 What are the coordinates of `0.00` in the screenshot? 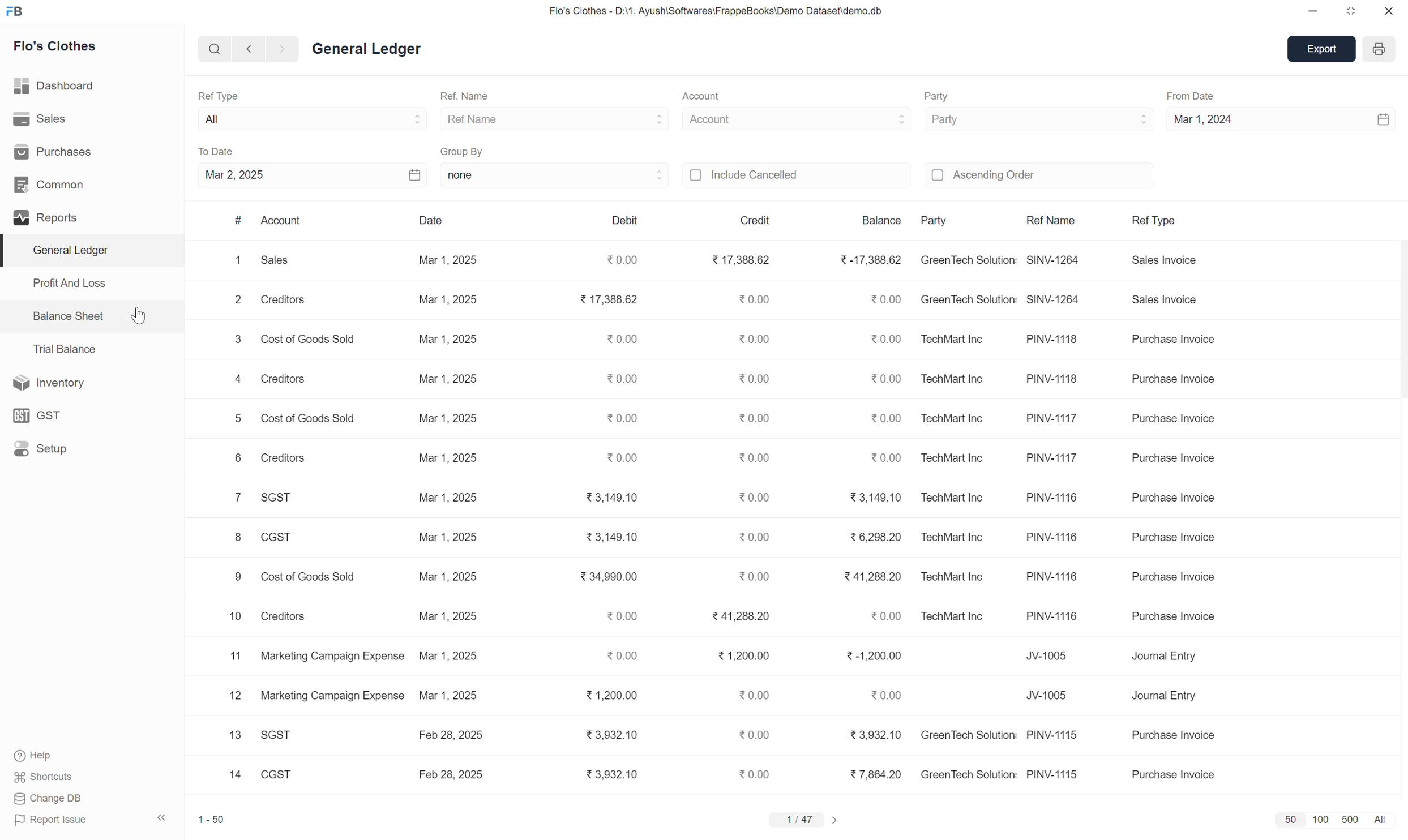 It's located at (615, 418).